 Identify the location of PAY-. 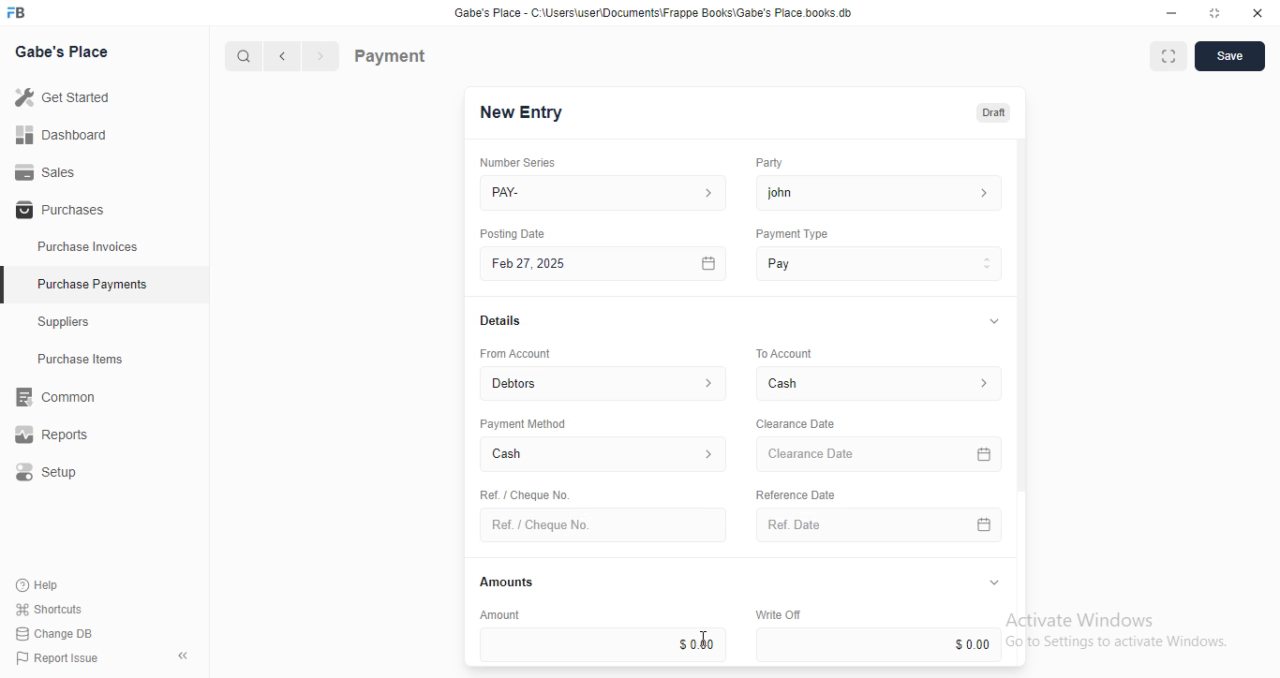
(605, 193).